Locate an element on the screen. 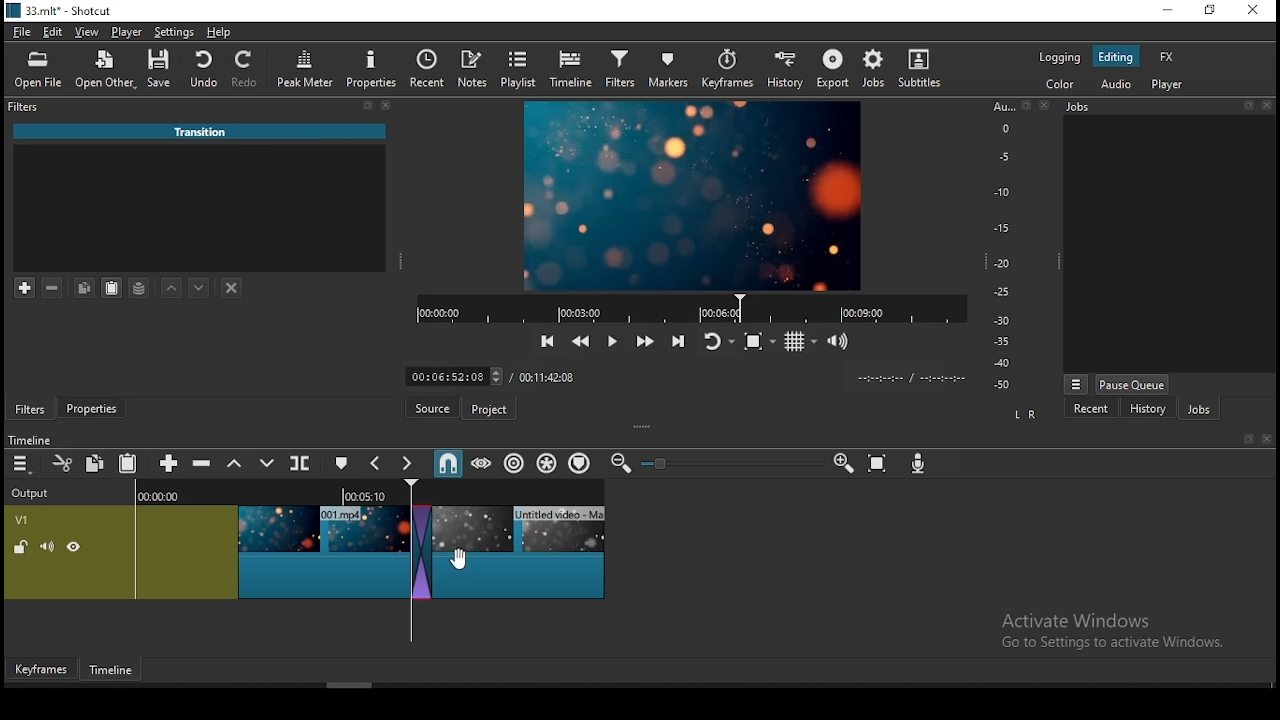 The height and width of the screenshot is (720, 1280). skip to next point is located at coordinates (679, 342).